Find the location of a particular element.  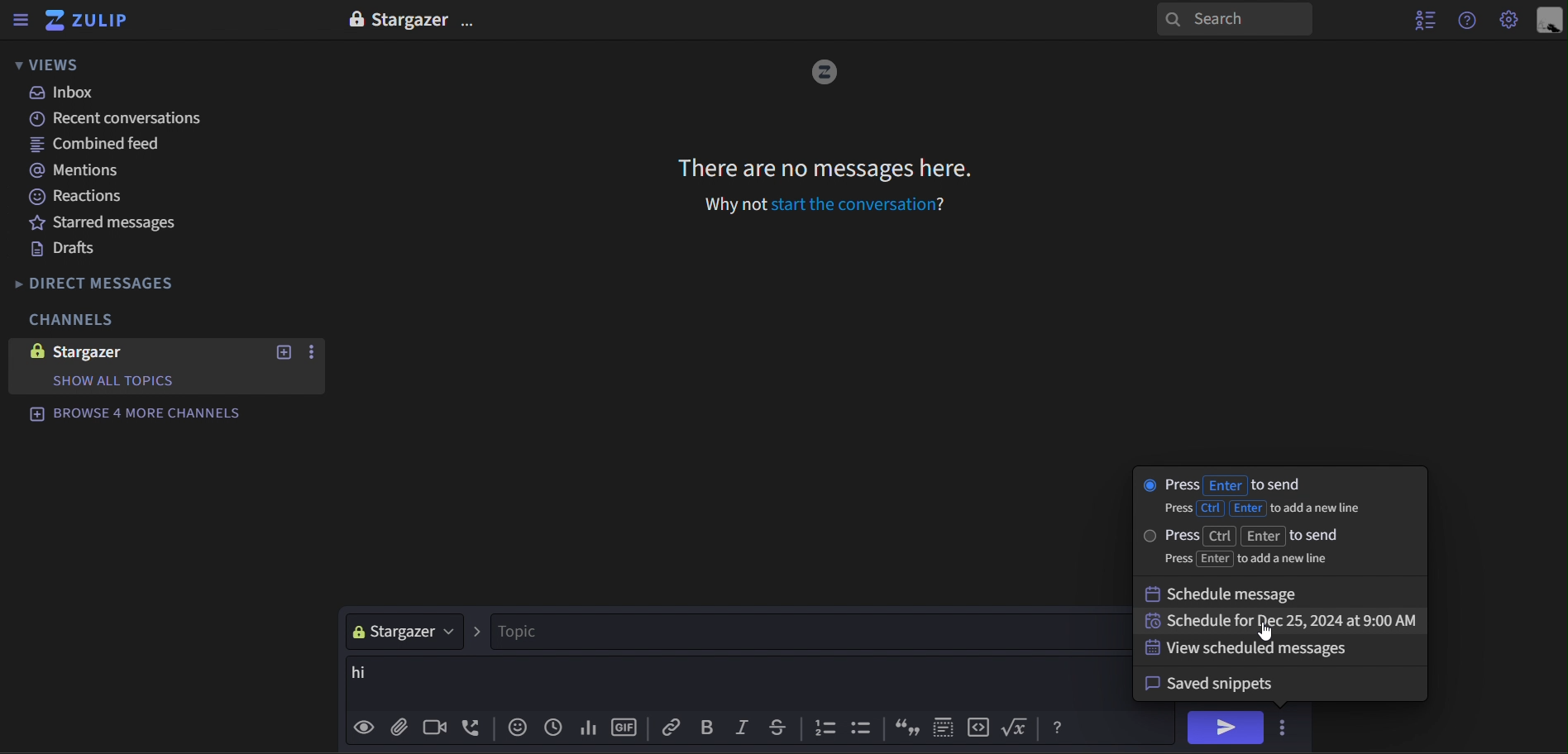

code is located at coordinates (982, 728).